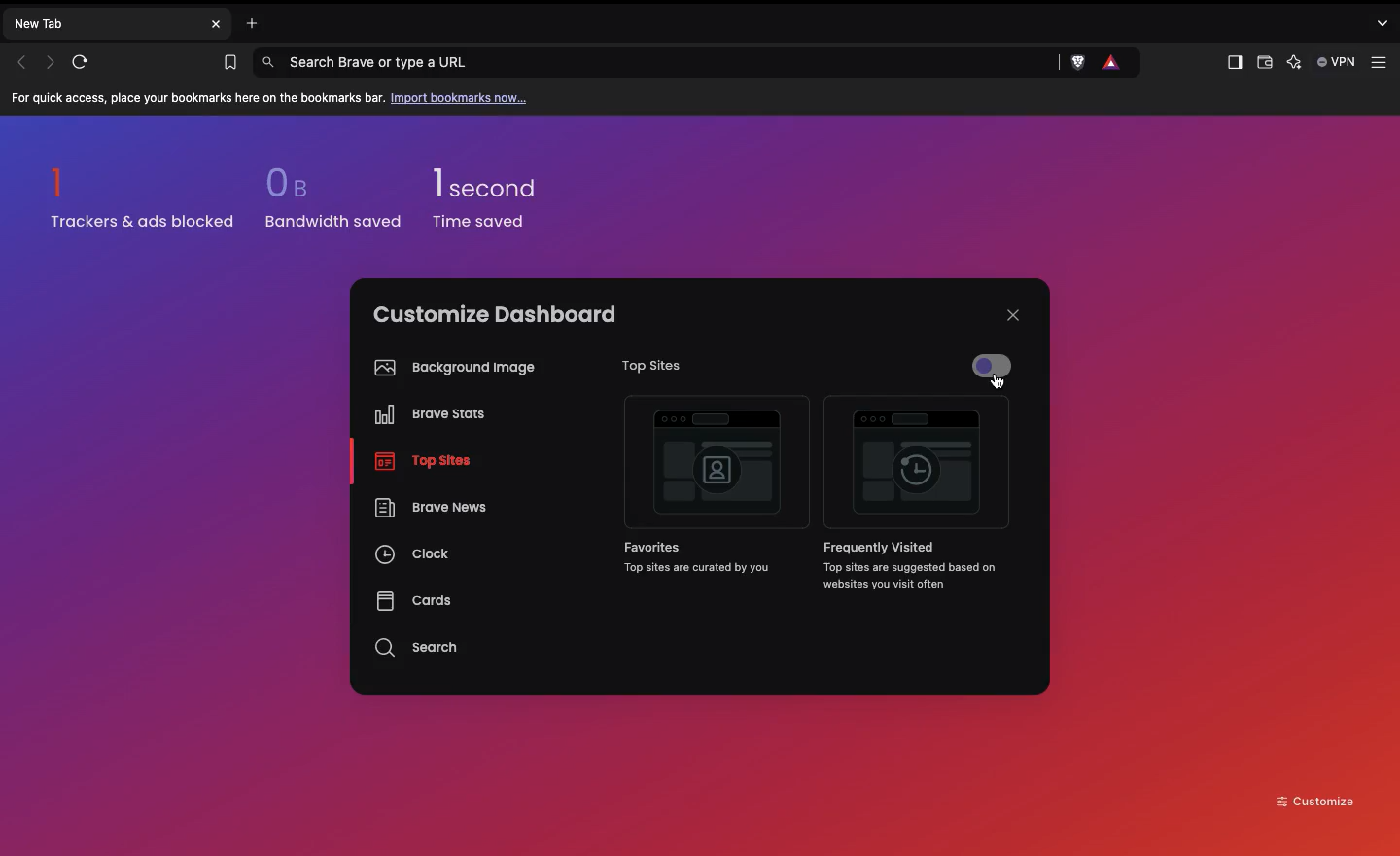 The height and width of the screenshot is (856, 1400). I want to click on Favorites Top sites are curated by you, so click(710, 559).